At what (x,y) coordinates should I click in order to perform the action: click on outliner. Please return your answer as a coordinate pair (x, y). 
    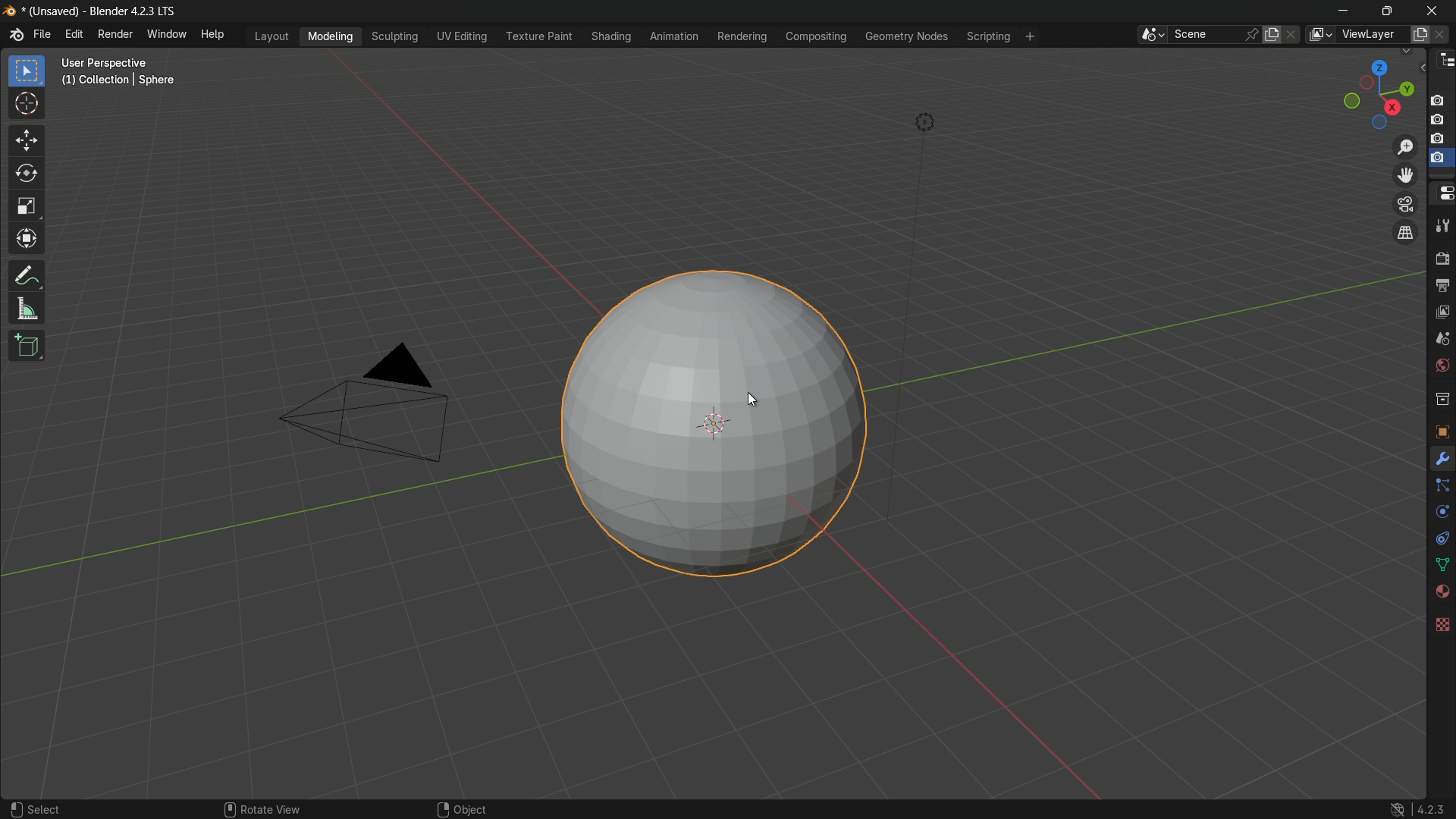
    Looking at the image, I should click on (1444, 64).